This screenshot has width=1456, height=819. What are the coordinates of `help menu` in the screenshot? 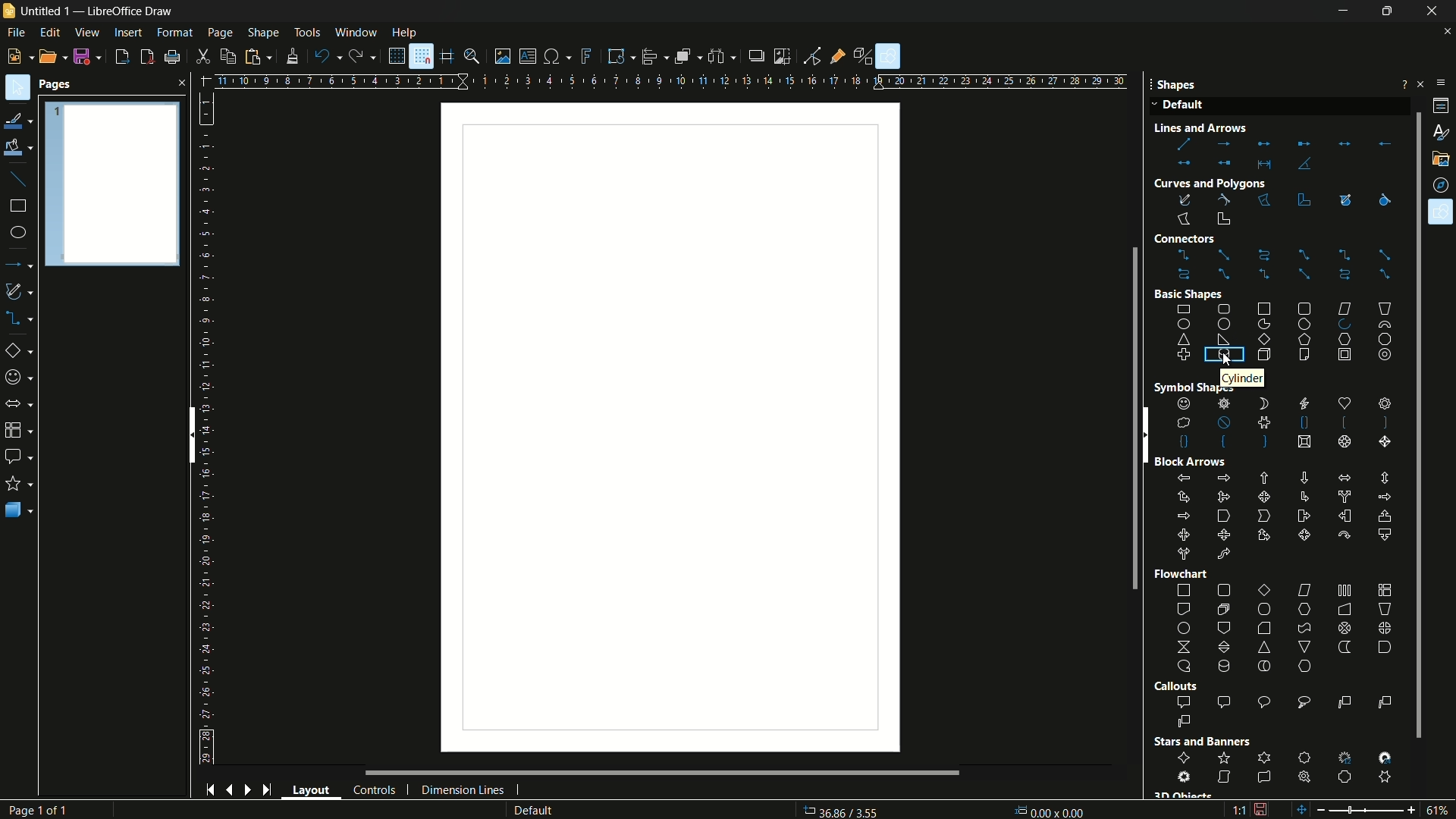 It's located at (403, 33).